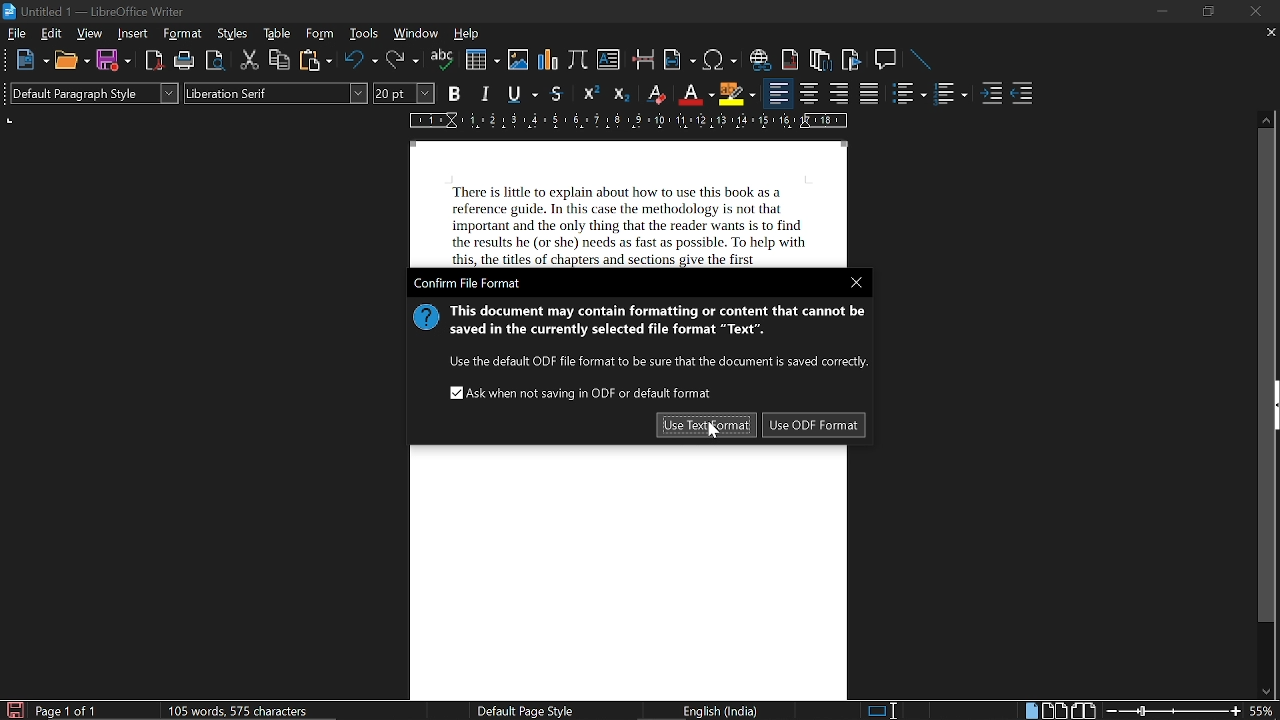 This screenshot has width=1280, height=720. Describe the element at coordinates (17, 33) in the screenshot. I see `file` at that location.